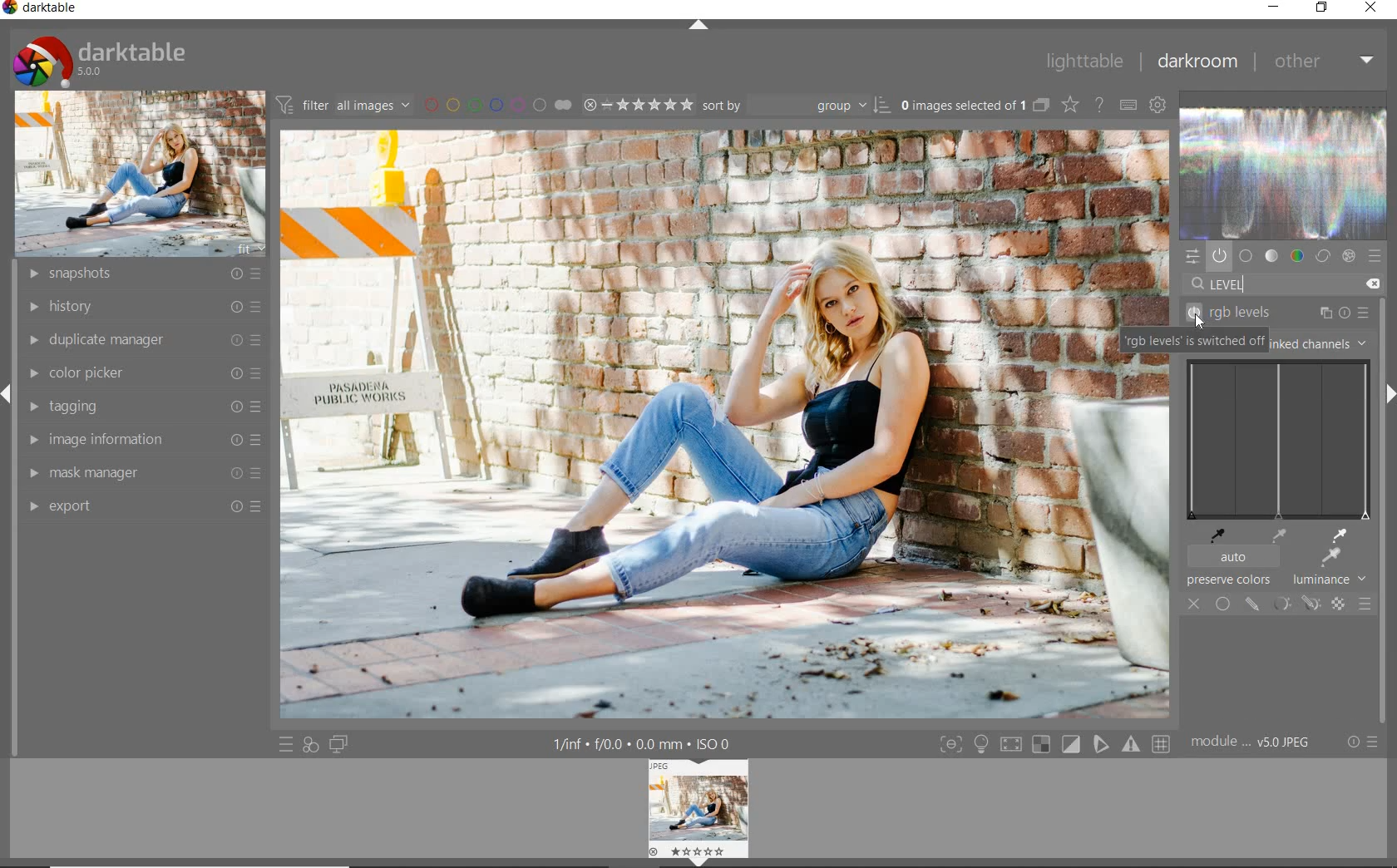 The width and height of the screenshot is (1397, 868). I want to click on color picker, so click(141, 374).